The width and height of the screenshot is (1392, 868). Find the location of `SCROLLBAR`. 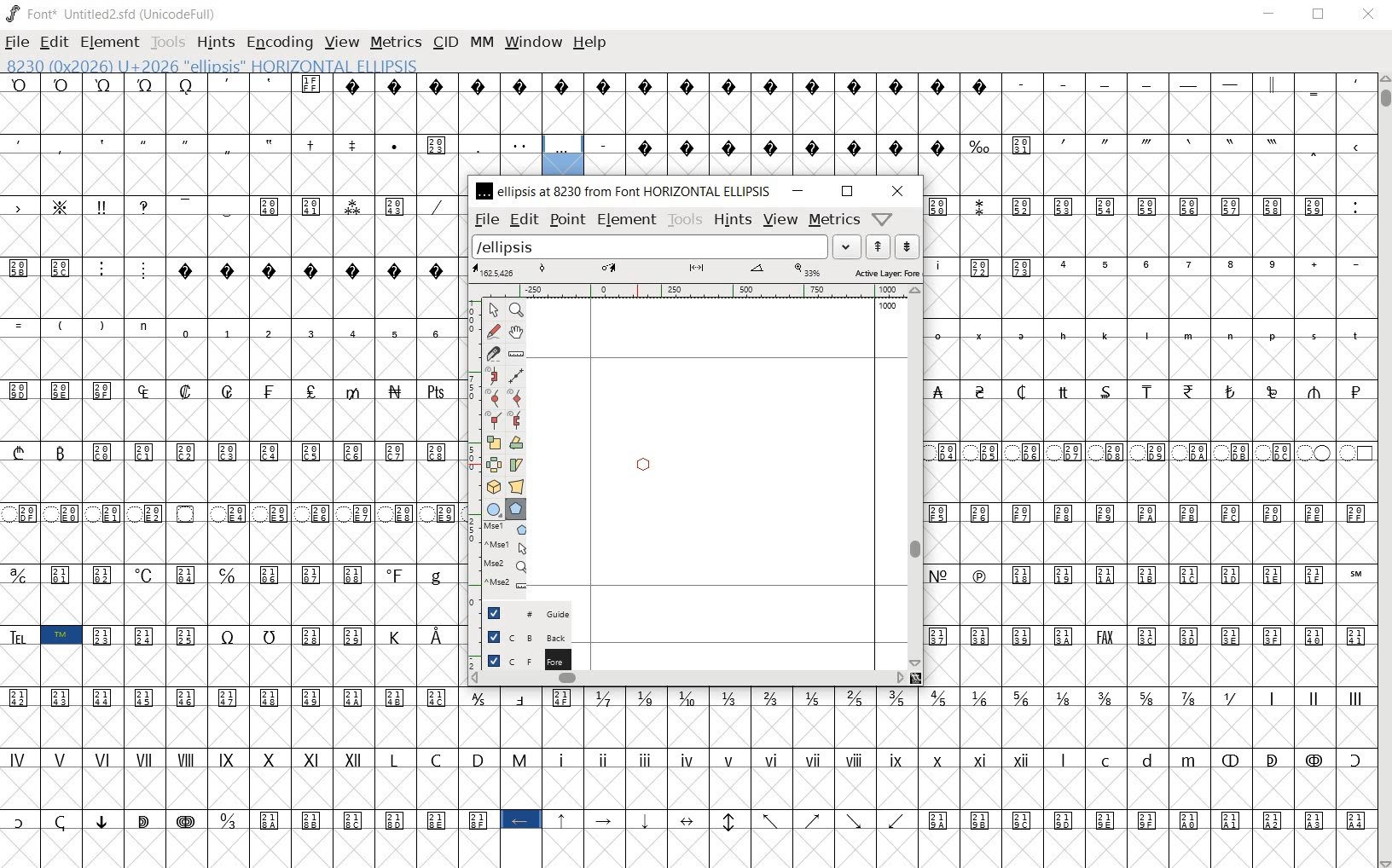

SCROLLBAR is located at coordinates (1383, 471).